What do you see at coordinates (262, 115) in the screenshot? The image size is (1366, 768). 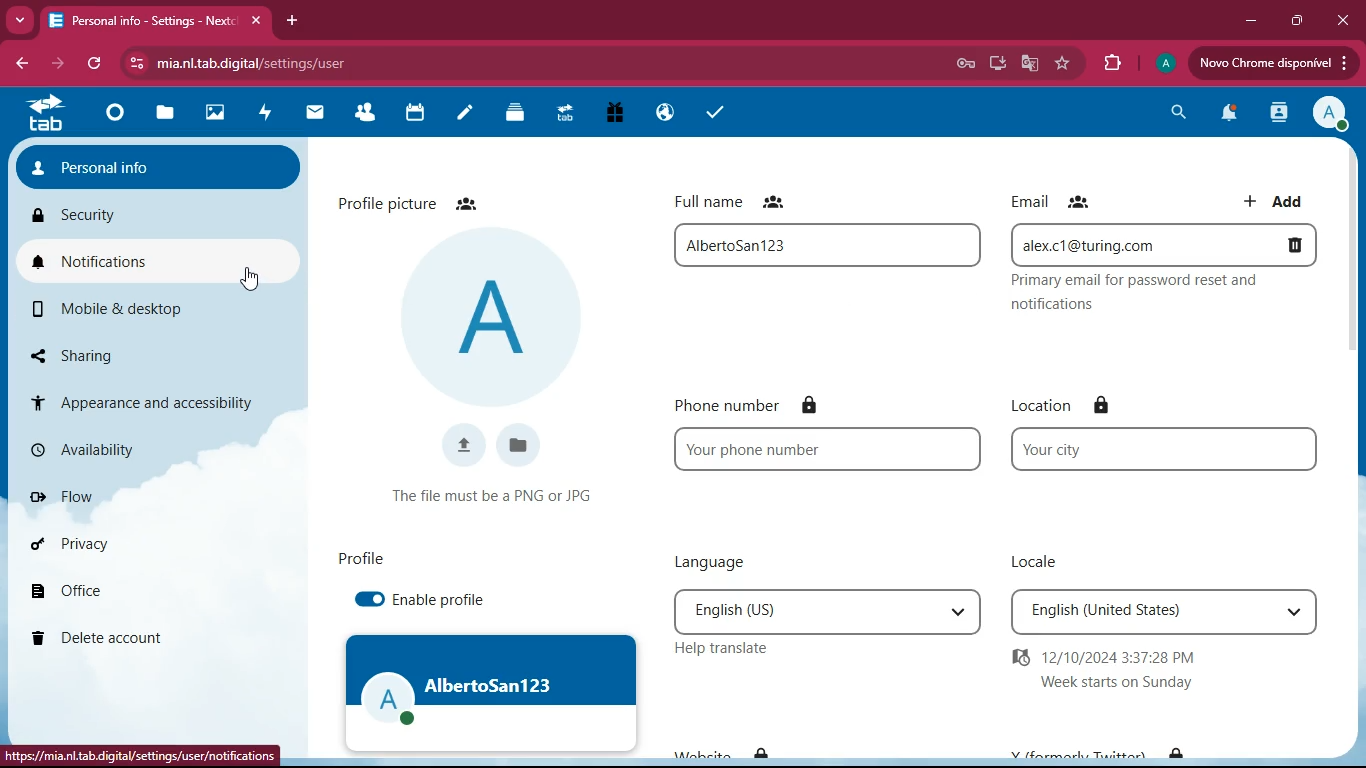 I see `activity` at bounding box center [262, 115].